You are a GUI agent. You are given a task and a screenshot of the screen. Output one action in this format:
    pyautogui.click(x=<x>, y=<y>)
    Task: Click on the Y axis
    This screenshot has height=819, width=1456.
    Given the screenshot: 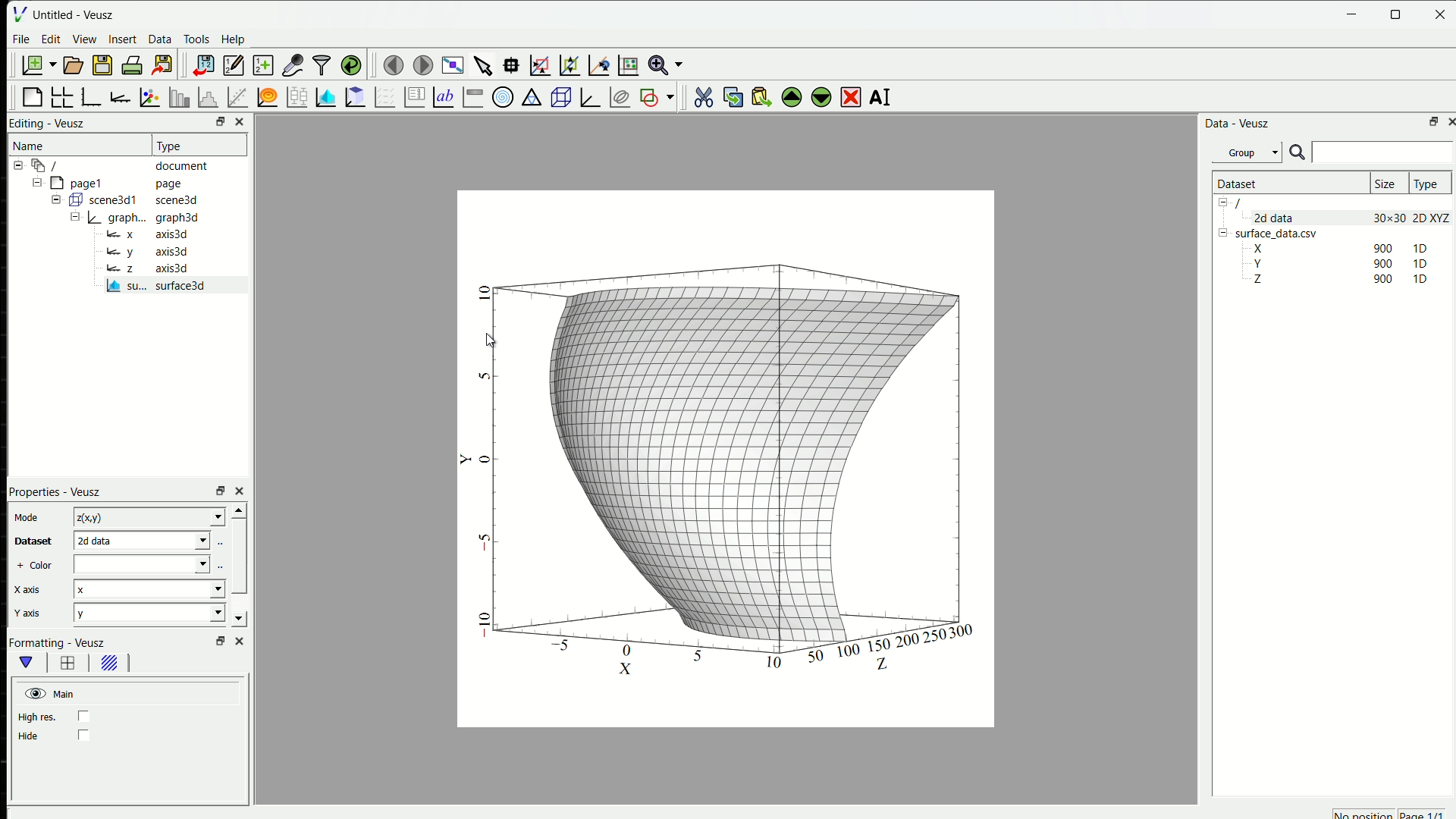 What is the action you would take?
    pyautogui.click(x=27, y=613)
    